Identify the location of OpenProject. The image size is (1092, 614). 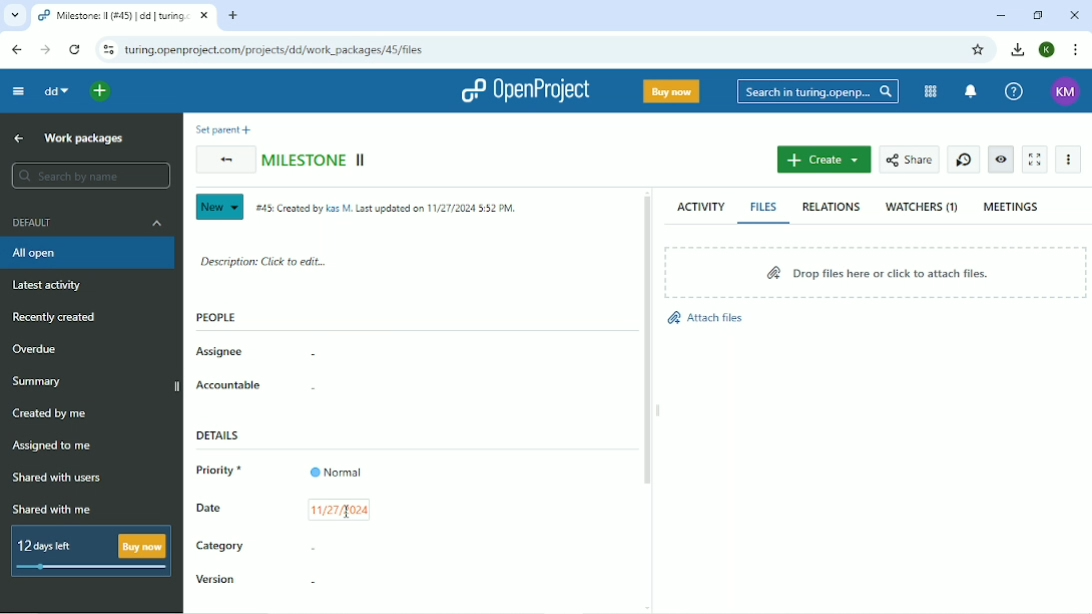
(524, 90).